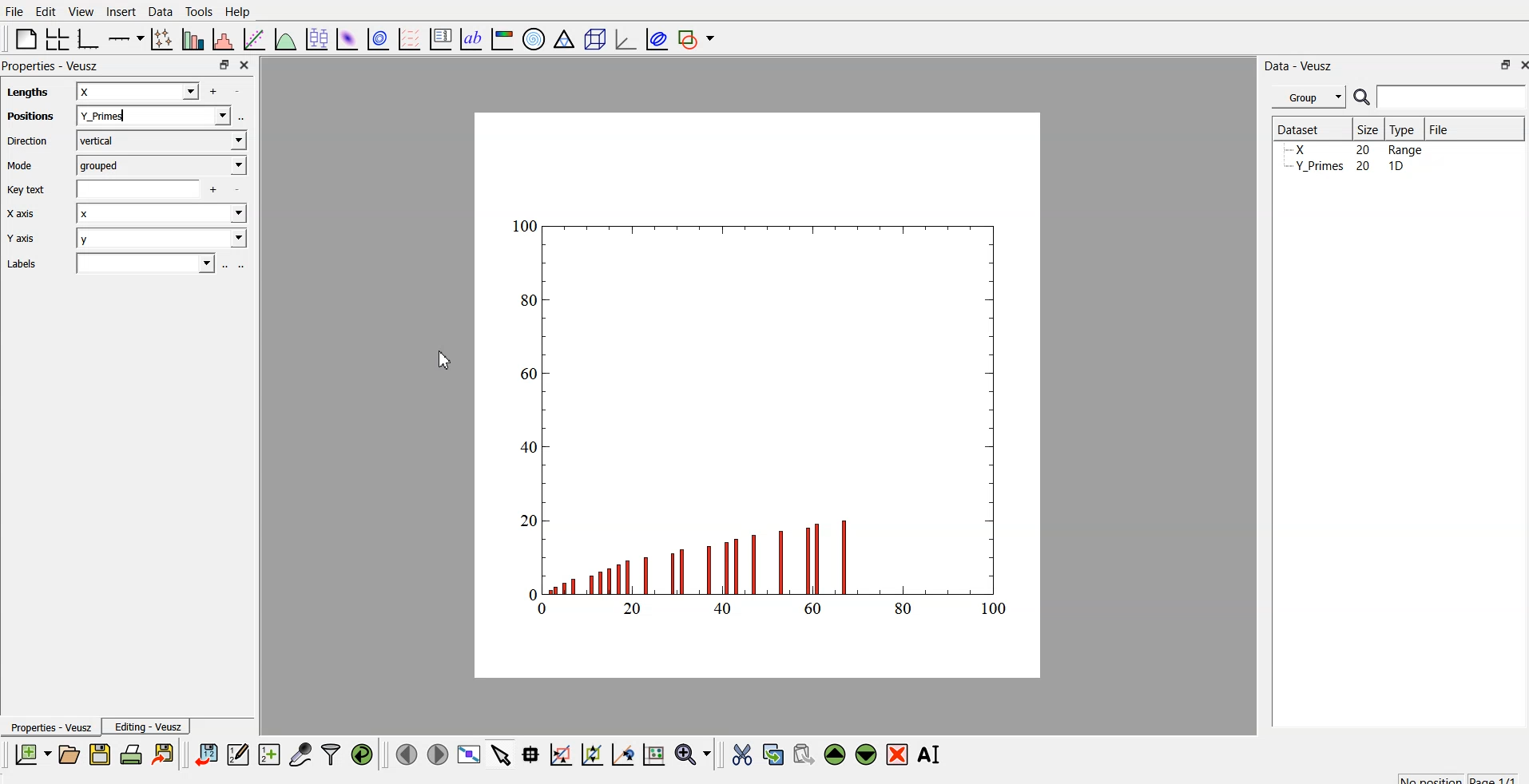 The height and width of the screenshot is (784, 1529). I want to click on add shape to plot, so click(701, 37).